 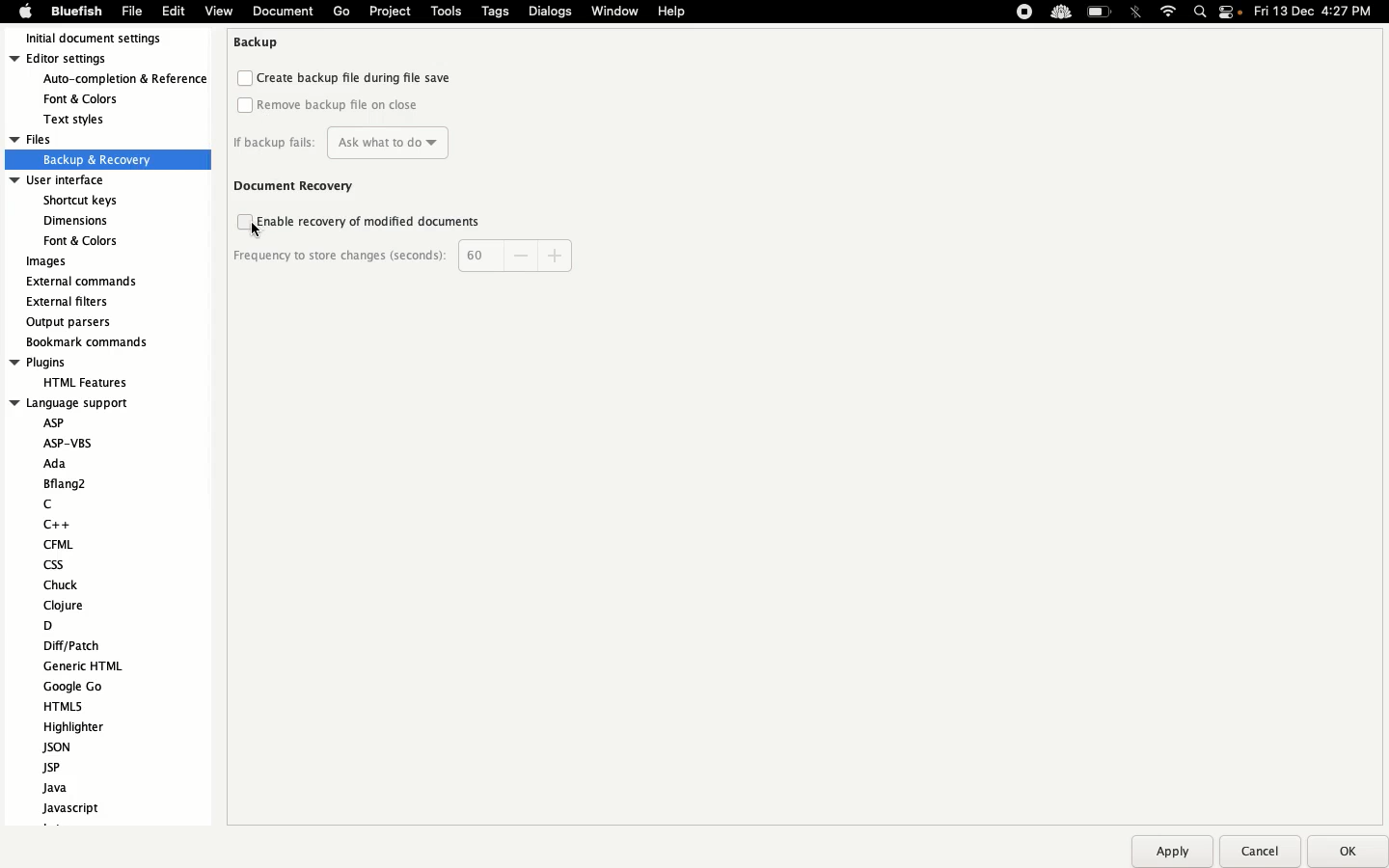 What do you see at coordinates (341, 142) in the screenshot?
I see `If backup fails` at bounding box center [341, 142].